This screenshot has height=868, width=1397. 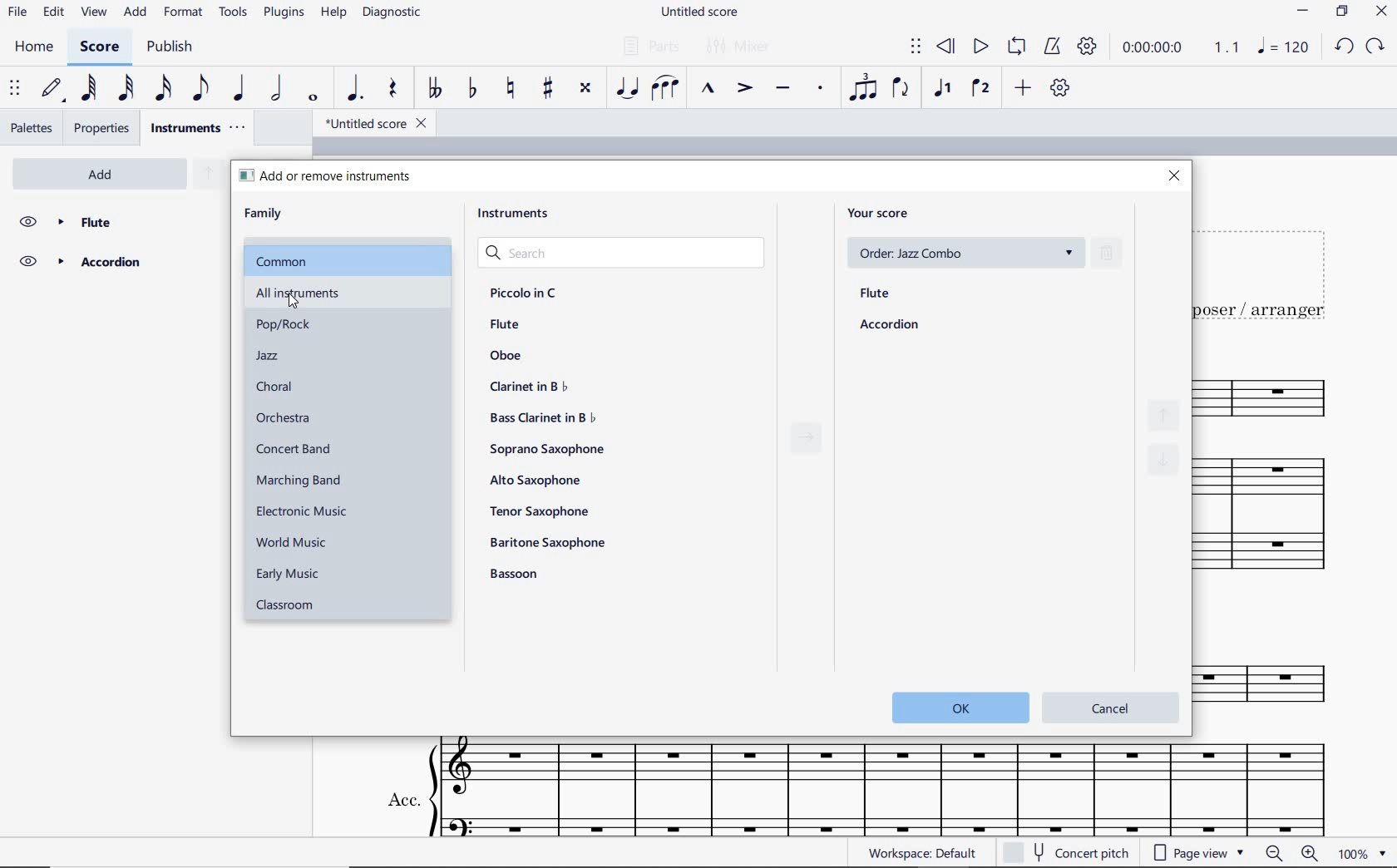 What do you see at coordinates (1305, 11) in the screenshot?
I see `MINIMIZE` at bounding box center [1305, 11].